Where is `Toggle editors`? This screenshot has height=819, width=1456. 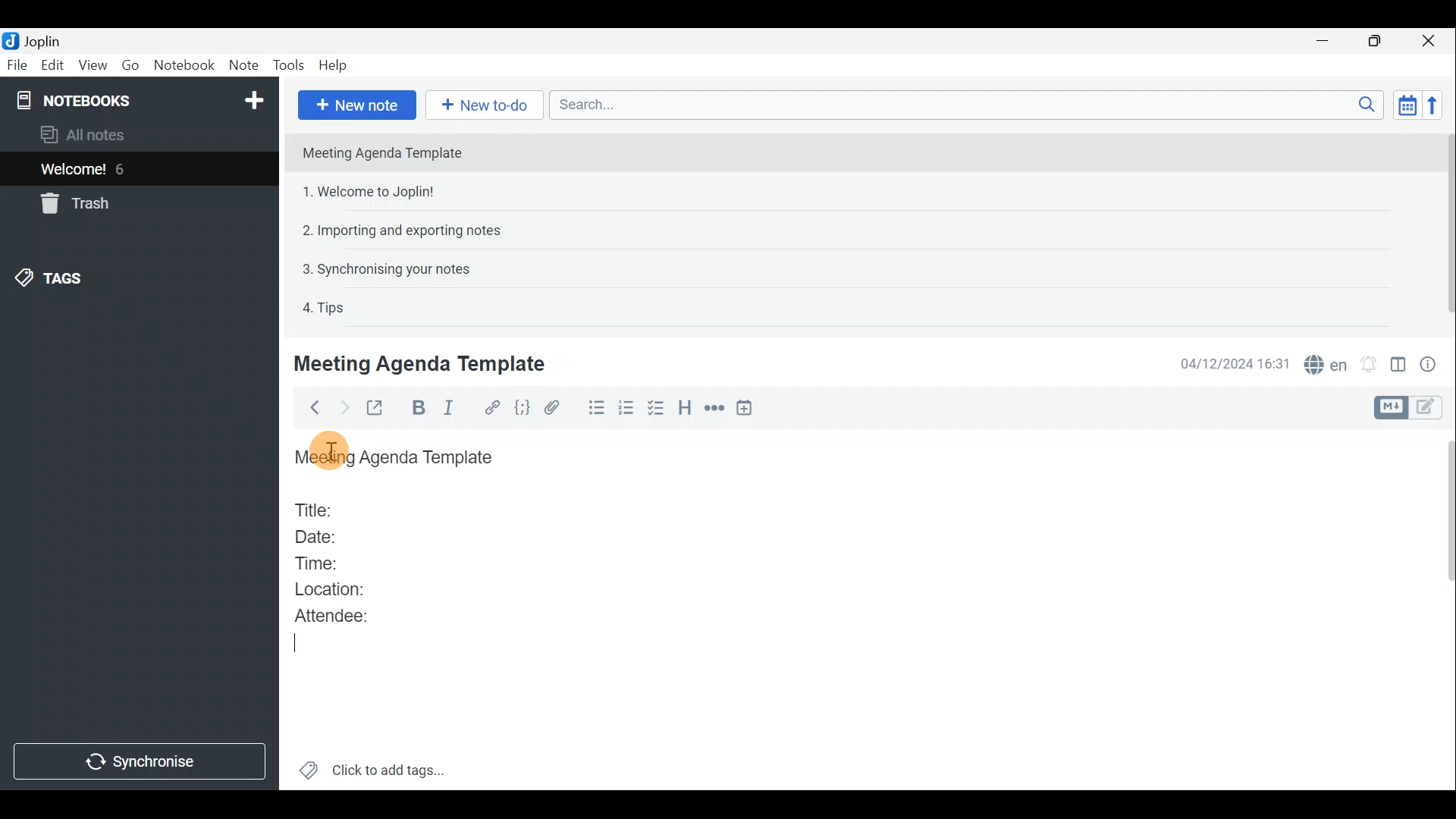
Toggle editors is located at coordinates (1429, 409).